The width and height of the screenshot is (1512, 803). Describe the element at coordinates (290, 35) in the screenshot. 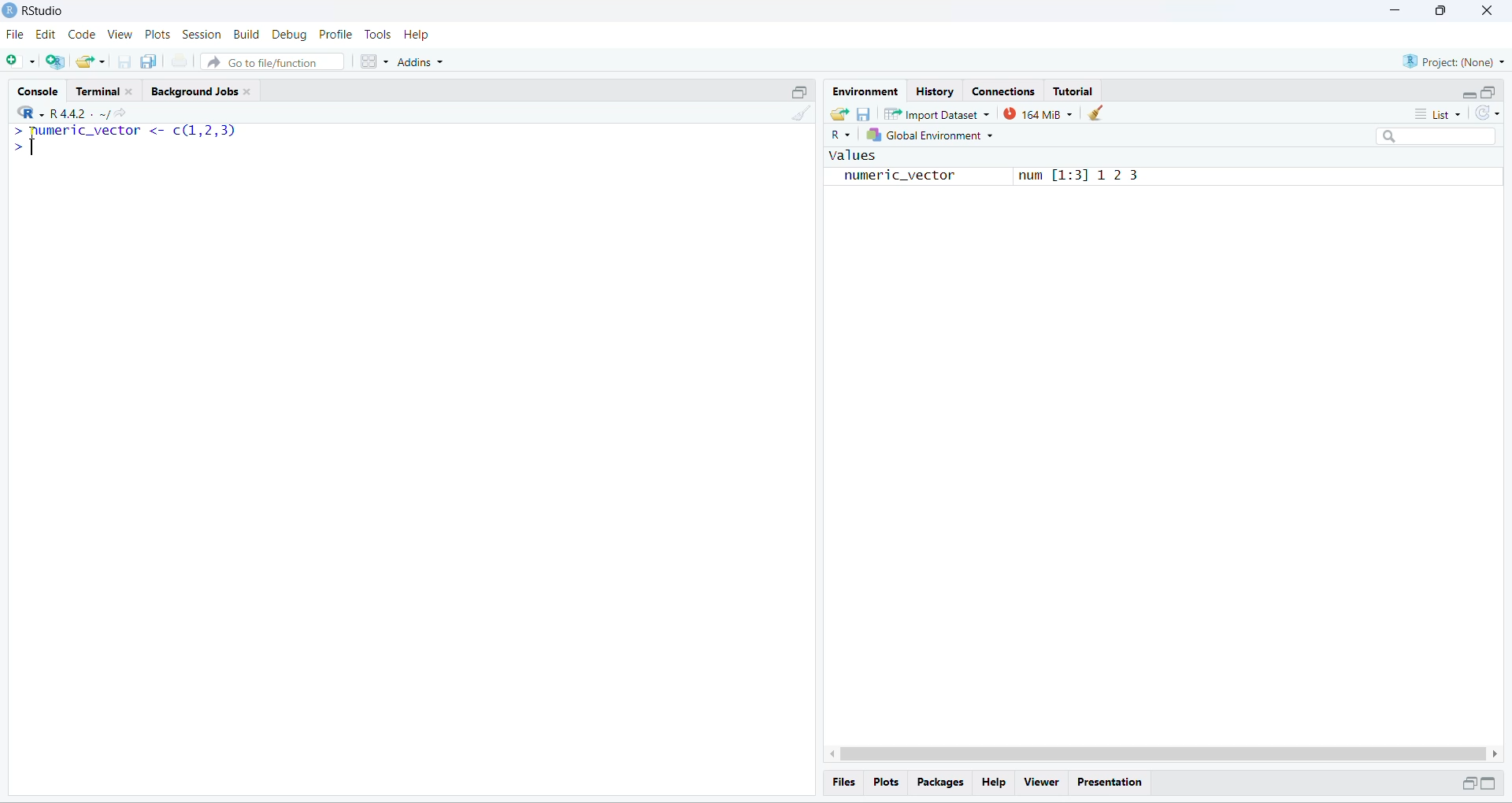

I see `Debug` at that location.